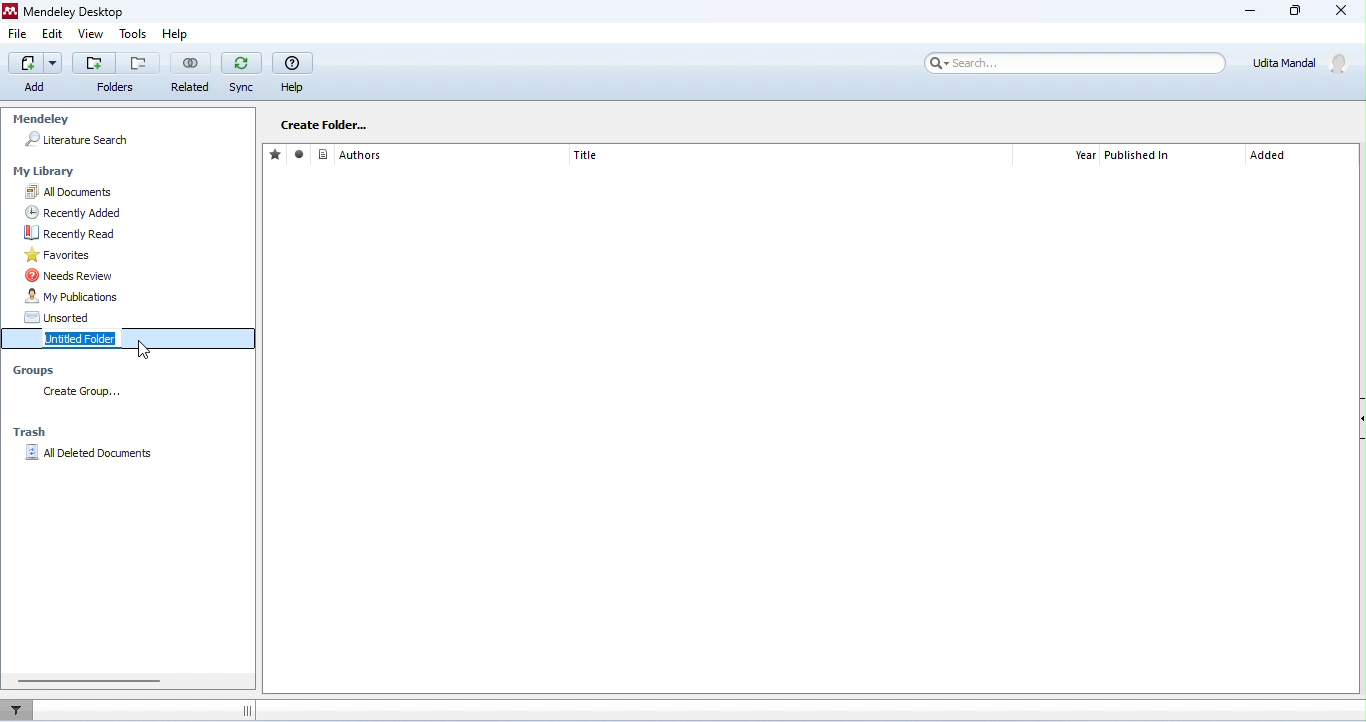 The width and height of the screenshot is (1366, 722). Describe the element at coordinates (1304, 63) in the screenshot. I see `account details` at that location.